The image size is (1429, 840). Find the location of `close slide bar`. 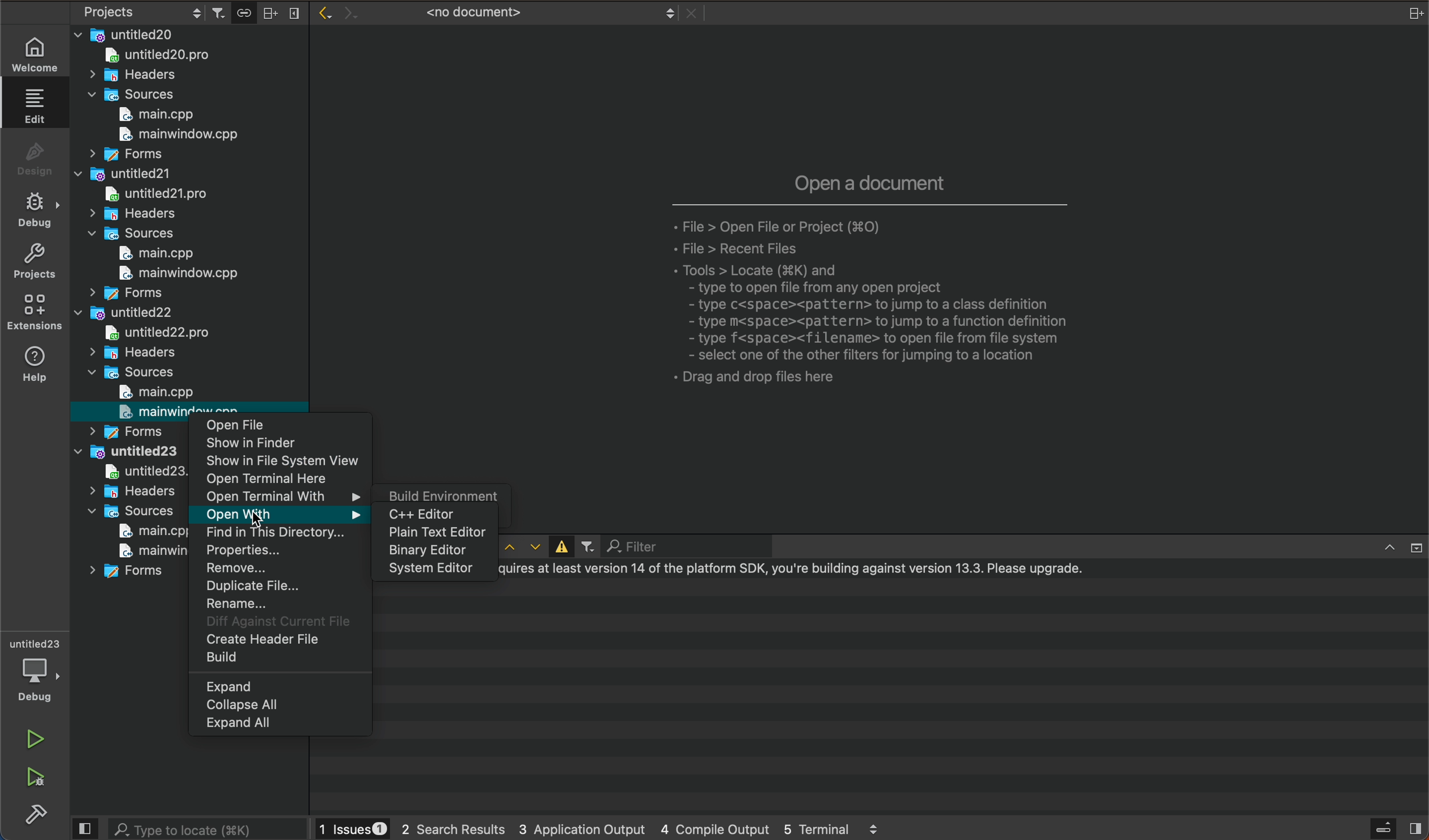

close slide bar is located at coordinates (1396, 828).